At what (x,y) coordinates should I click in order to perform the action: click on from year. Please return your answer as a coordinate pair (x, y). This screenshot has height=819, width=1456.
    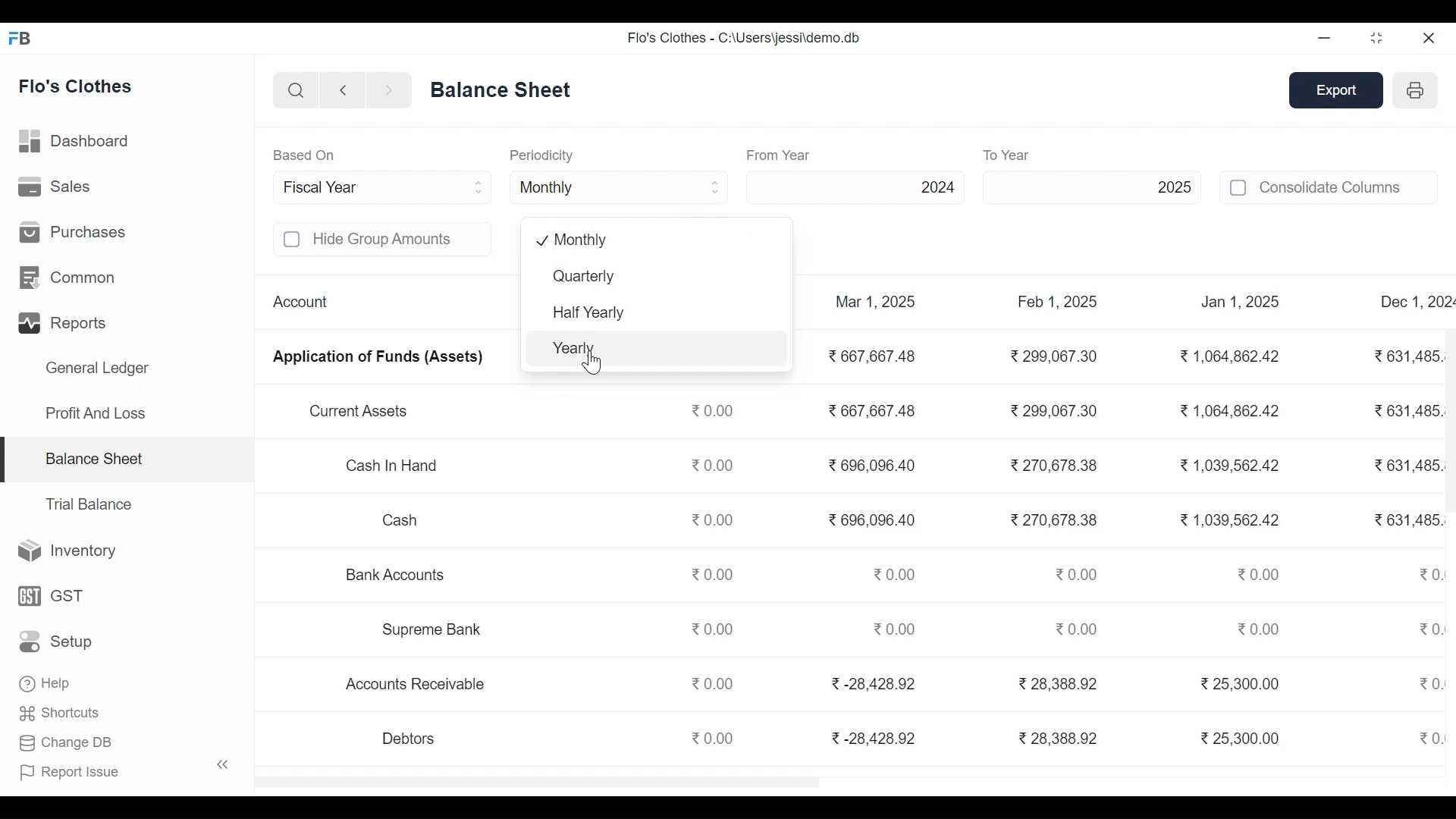
    Looking at the image, I should click on (780, 155).